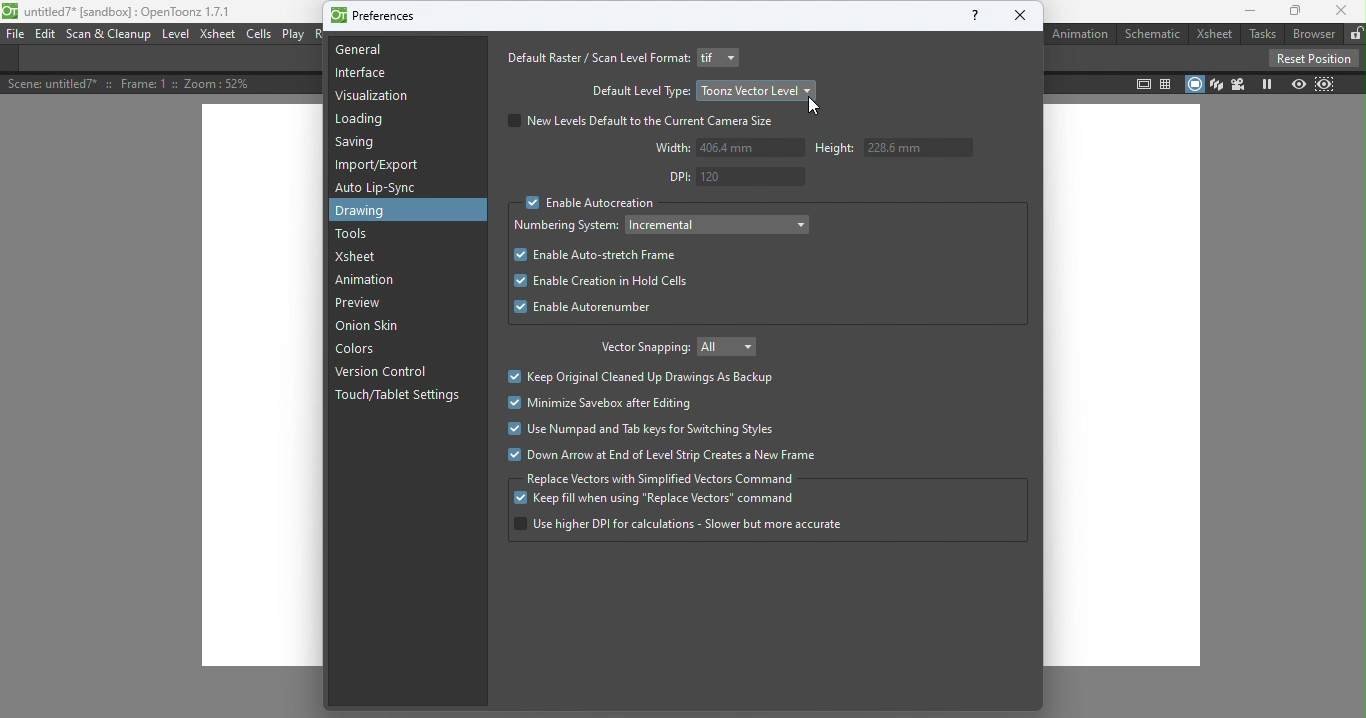 The image size is (1366, 718). I want to click on Default level type, so click(639, 91).